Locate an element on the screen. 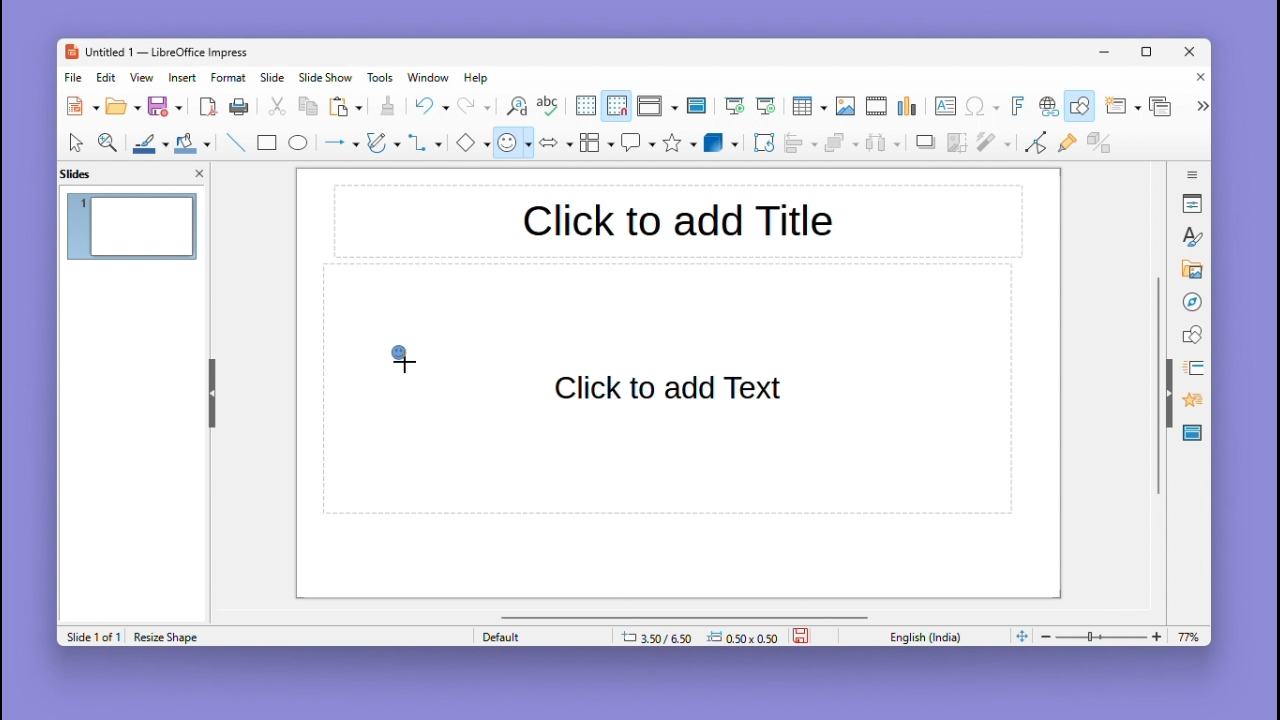 This screenshot has height=720, width=1280. Insert is located at coordinates (185, 77).